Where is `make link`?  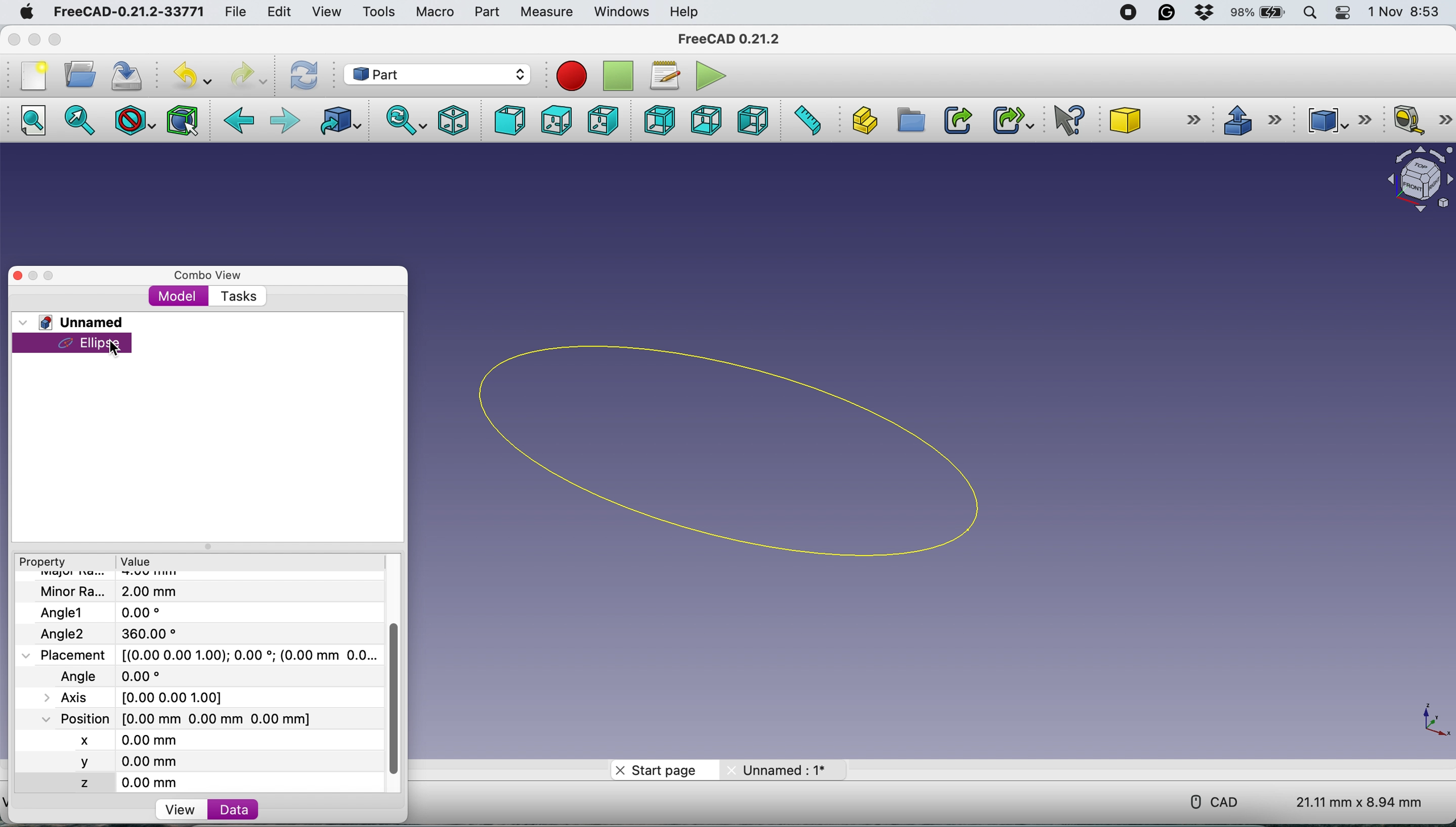
make link is located at coordinates (955, 120).